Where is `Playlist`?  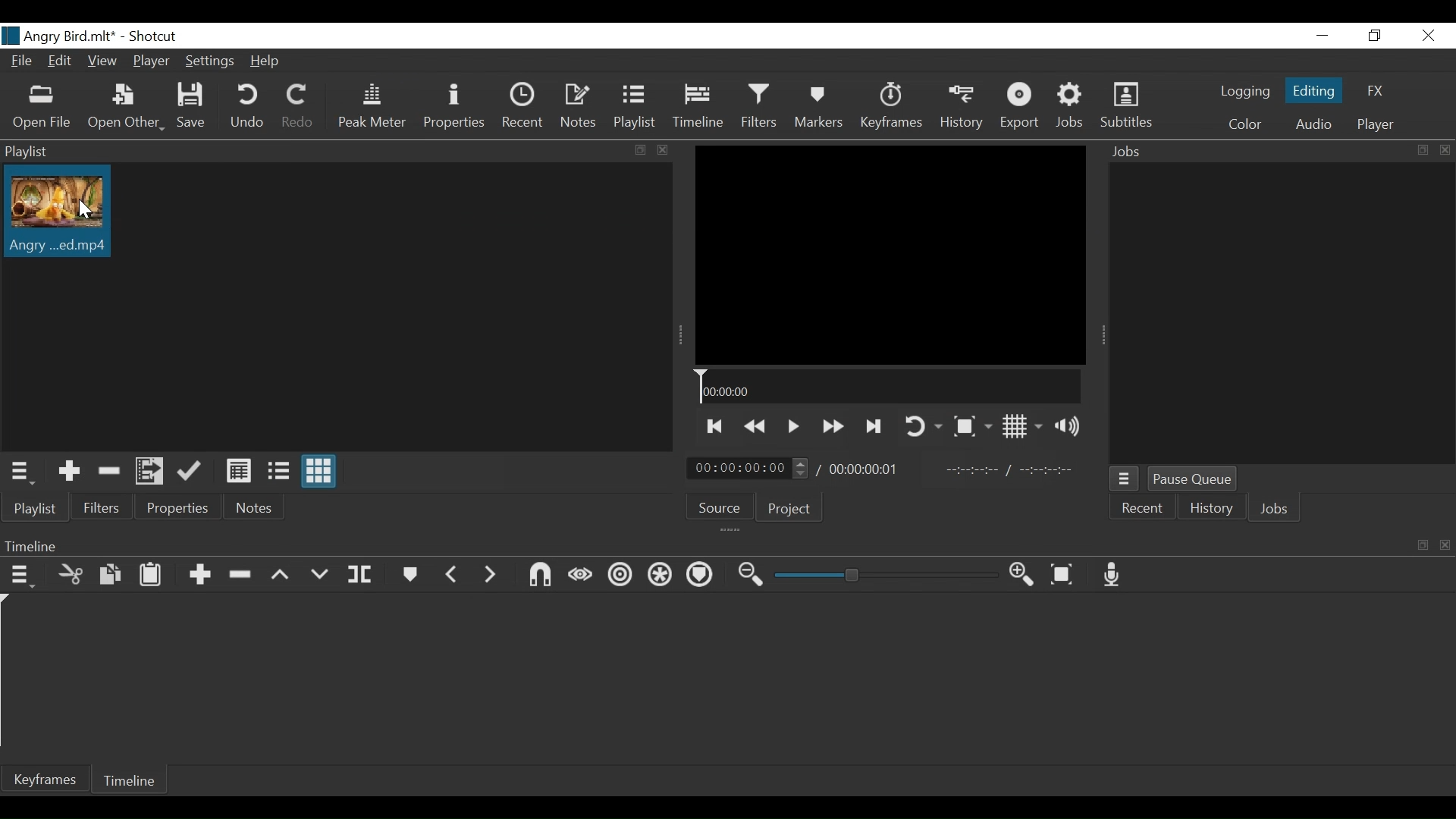 Playlist is located at coordinates (35, 507).